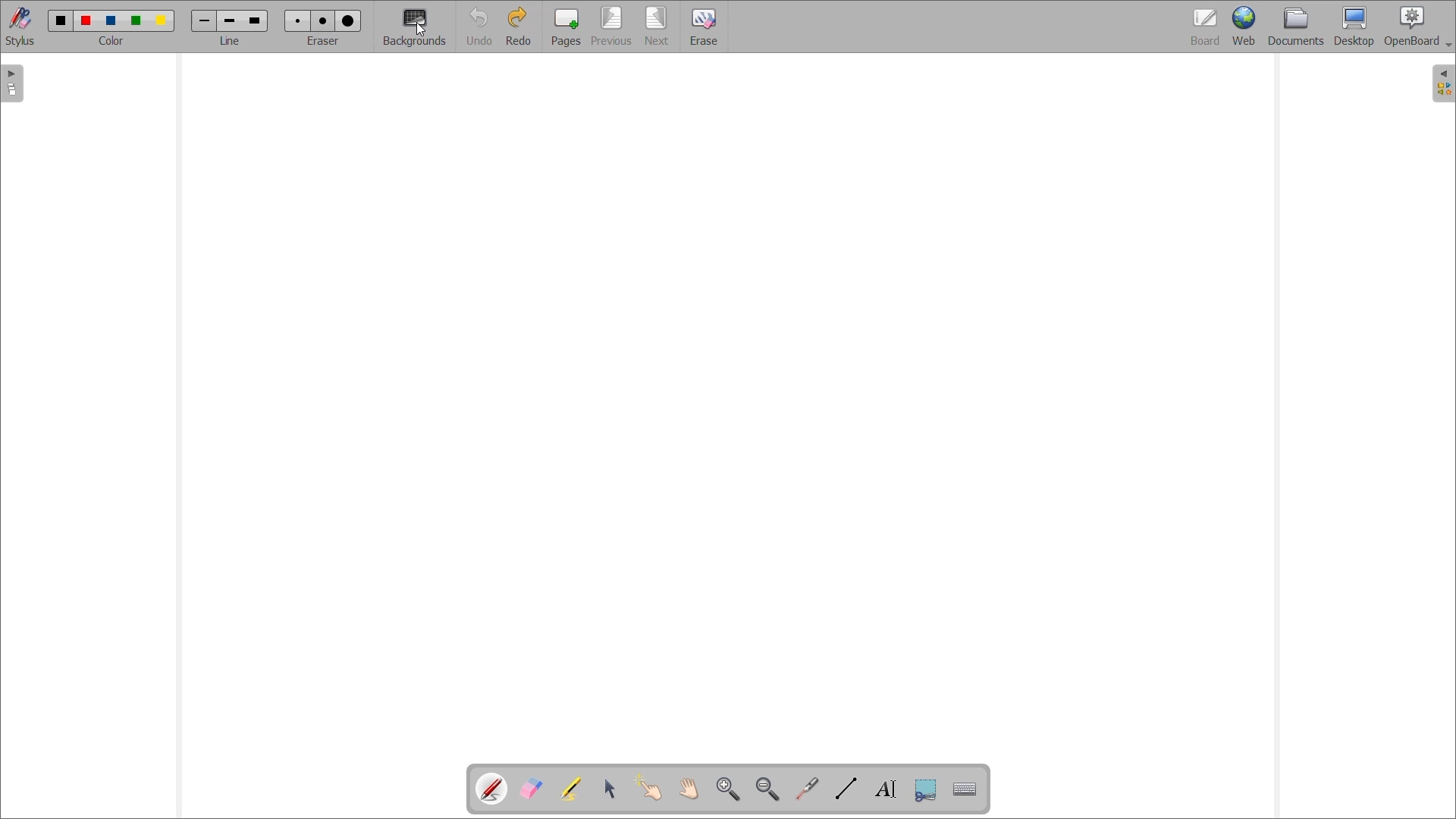 The width and height of the screenshot is (1456, 819). Describe the element at coordinates (704, 27) in the screenshot. I see `Eraser` at that location.